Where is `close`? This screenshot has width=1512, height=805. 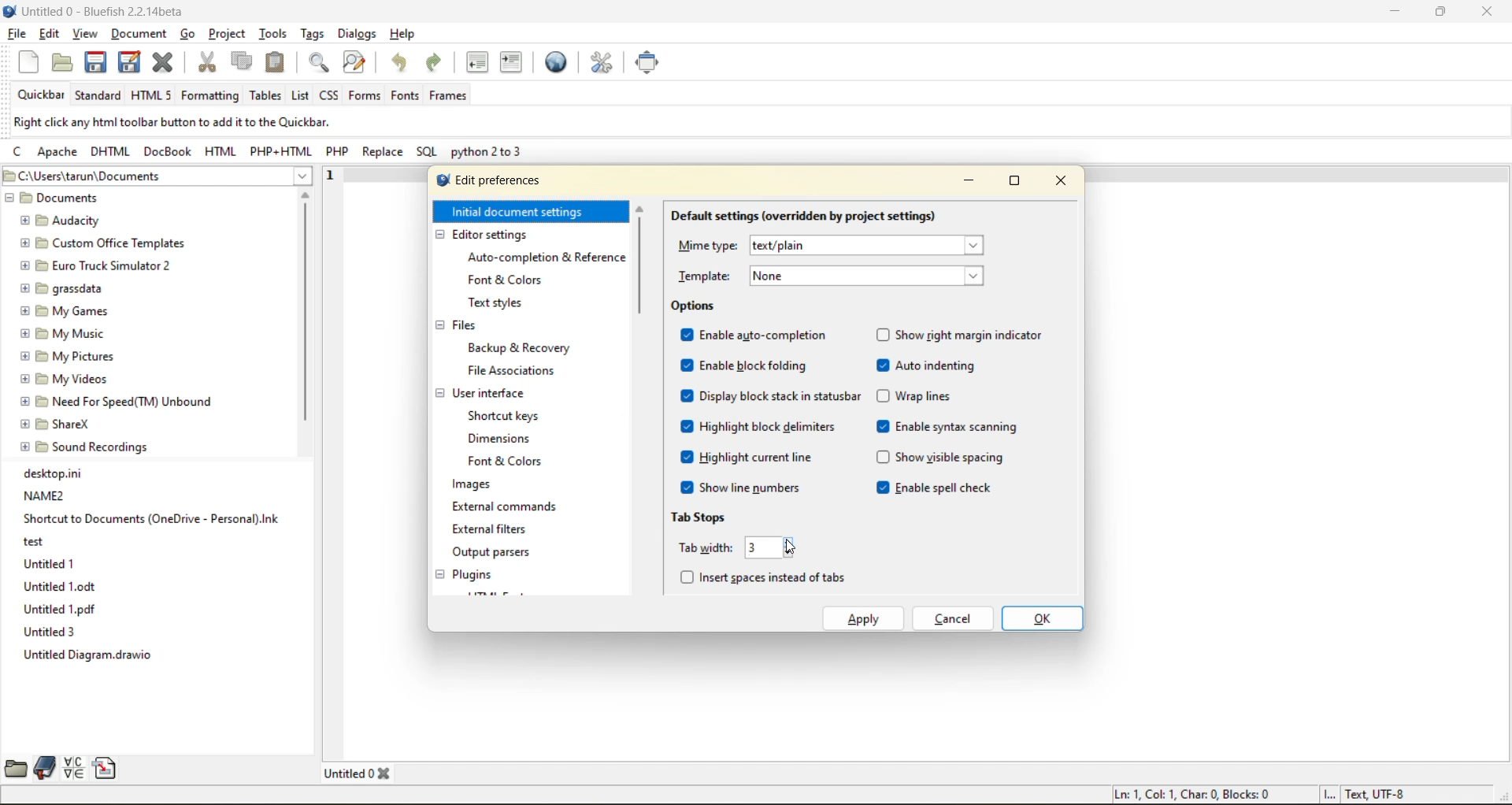
close is located at coordinates (1486, 12).